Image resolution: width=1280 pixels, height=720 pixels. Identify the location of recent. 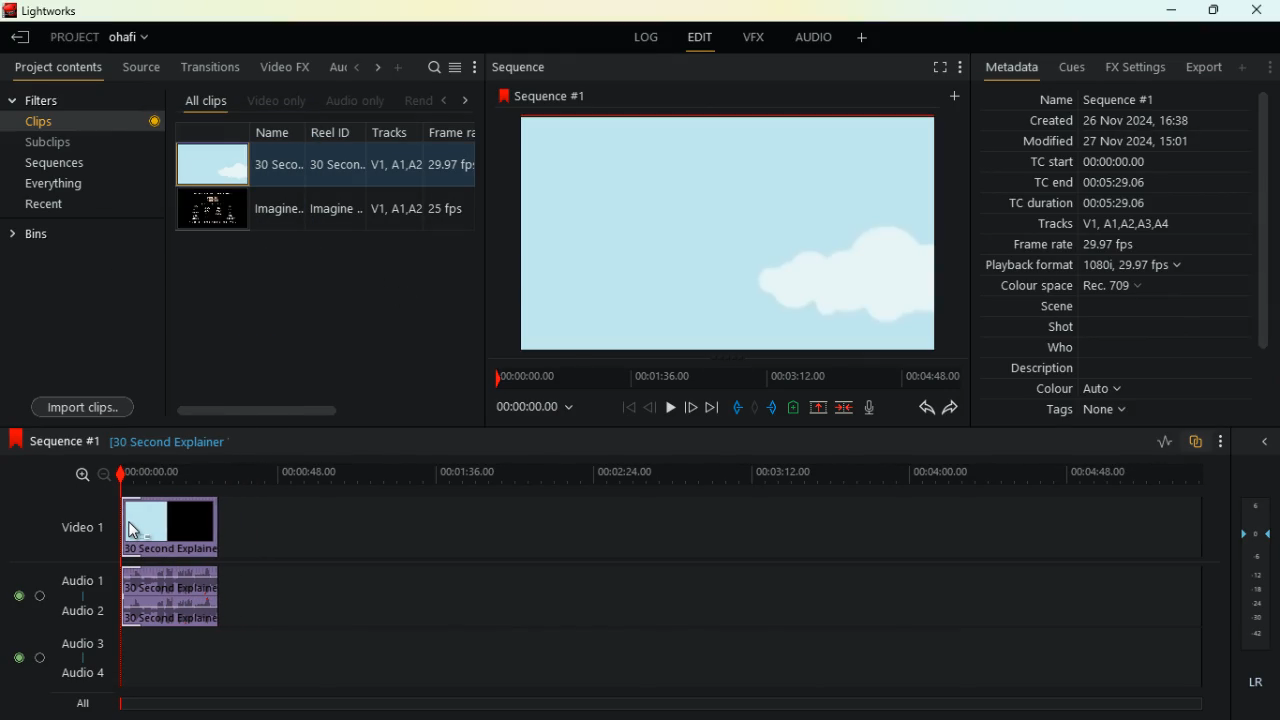
(56, 205).